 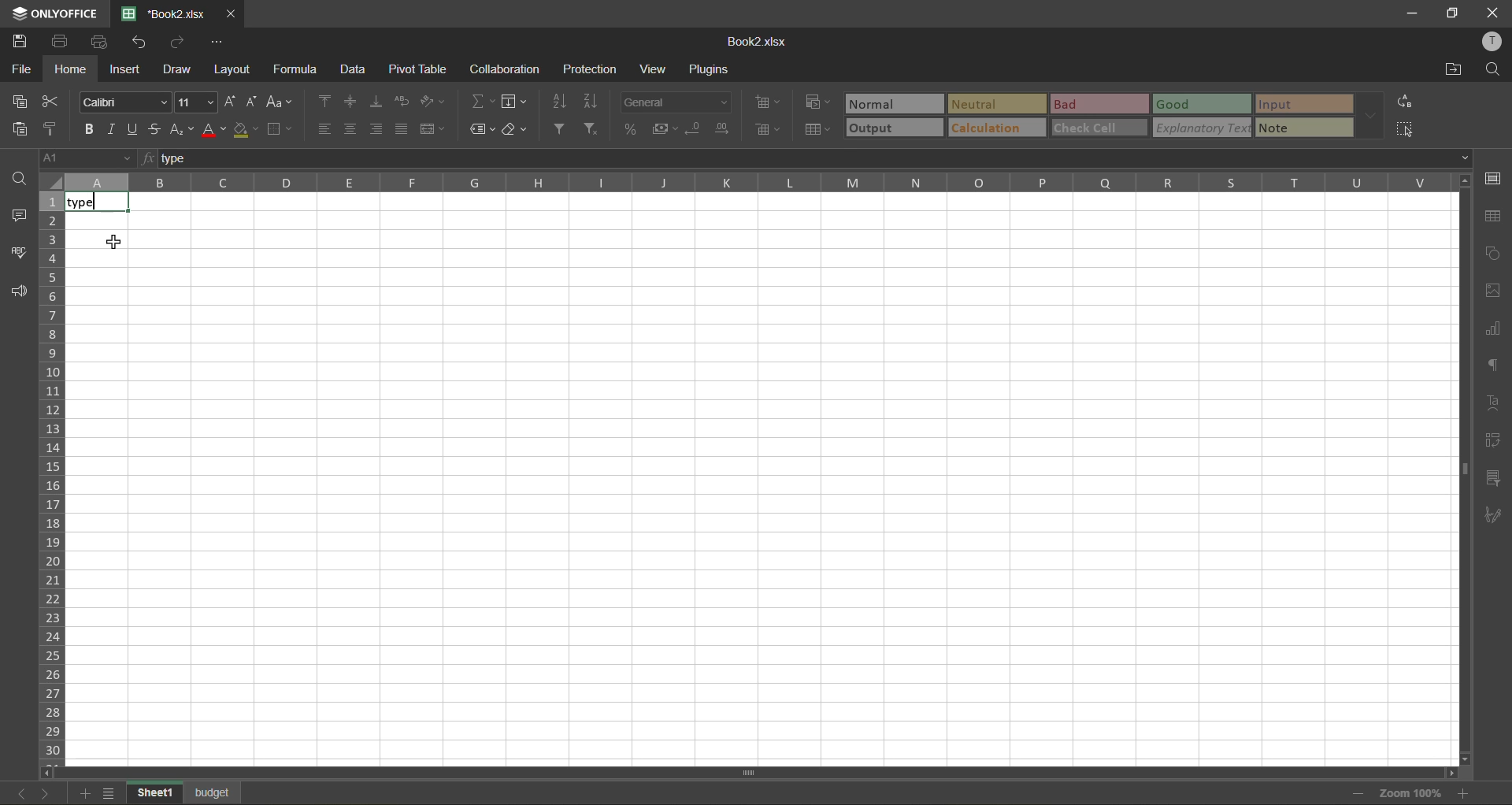 What do you see at coordinates (1406, 125) in the screenshot?
I see `select all` at bounding box center [1406, 125].